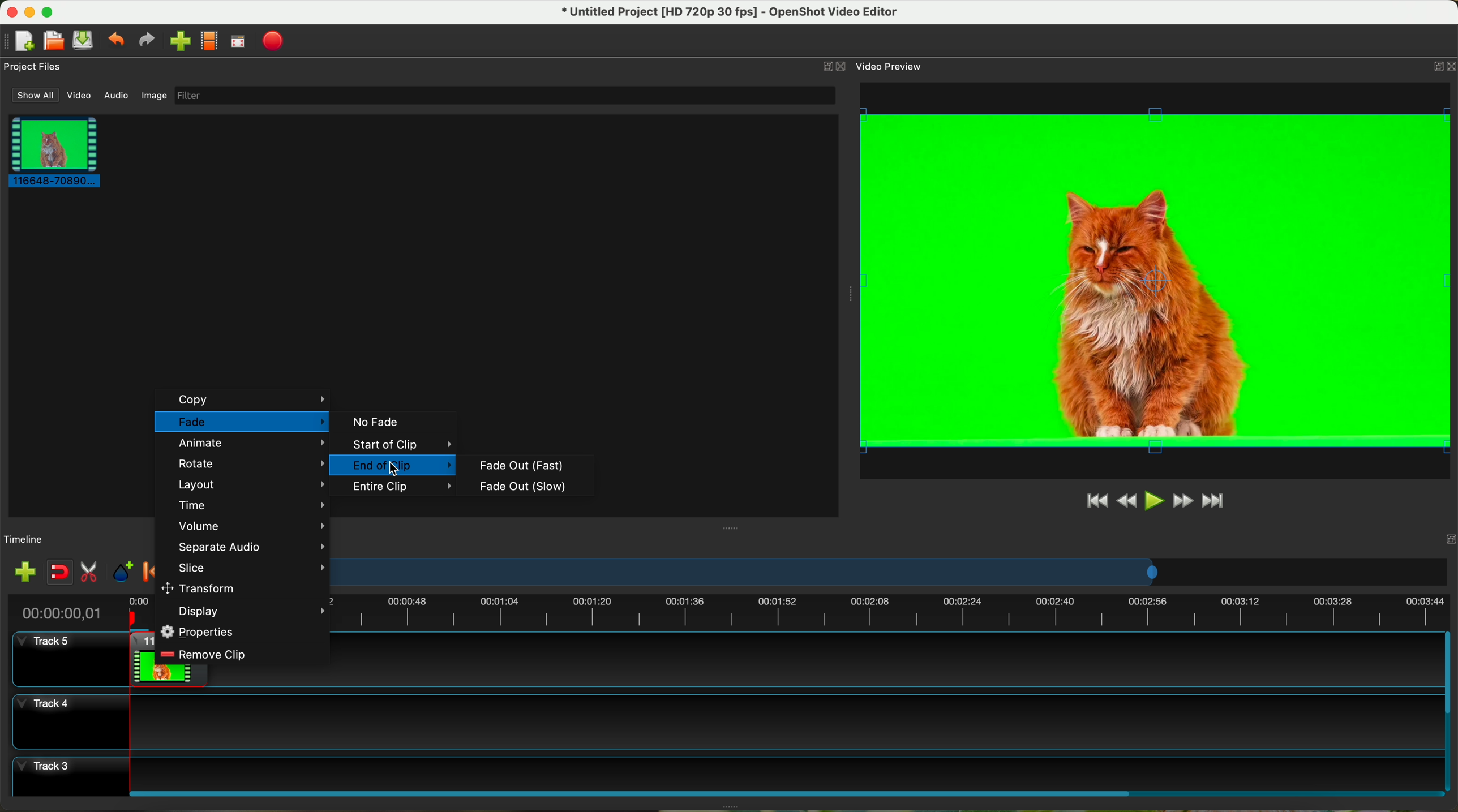  Describe the element at coordinates (725, 721) in the screenshot. I see `track 4` at that location.